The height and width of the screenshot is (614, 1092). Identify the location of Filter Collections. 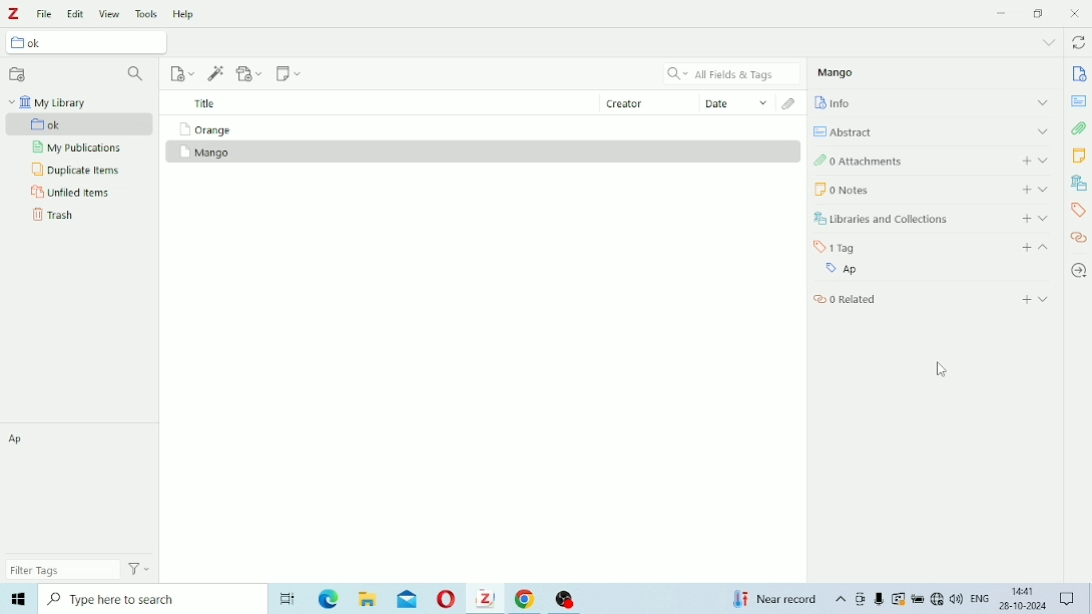
(138, 75).